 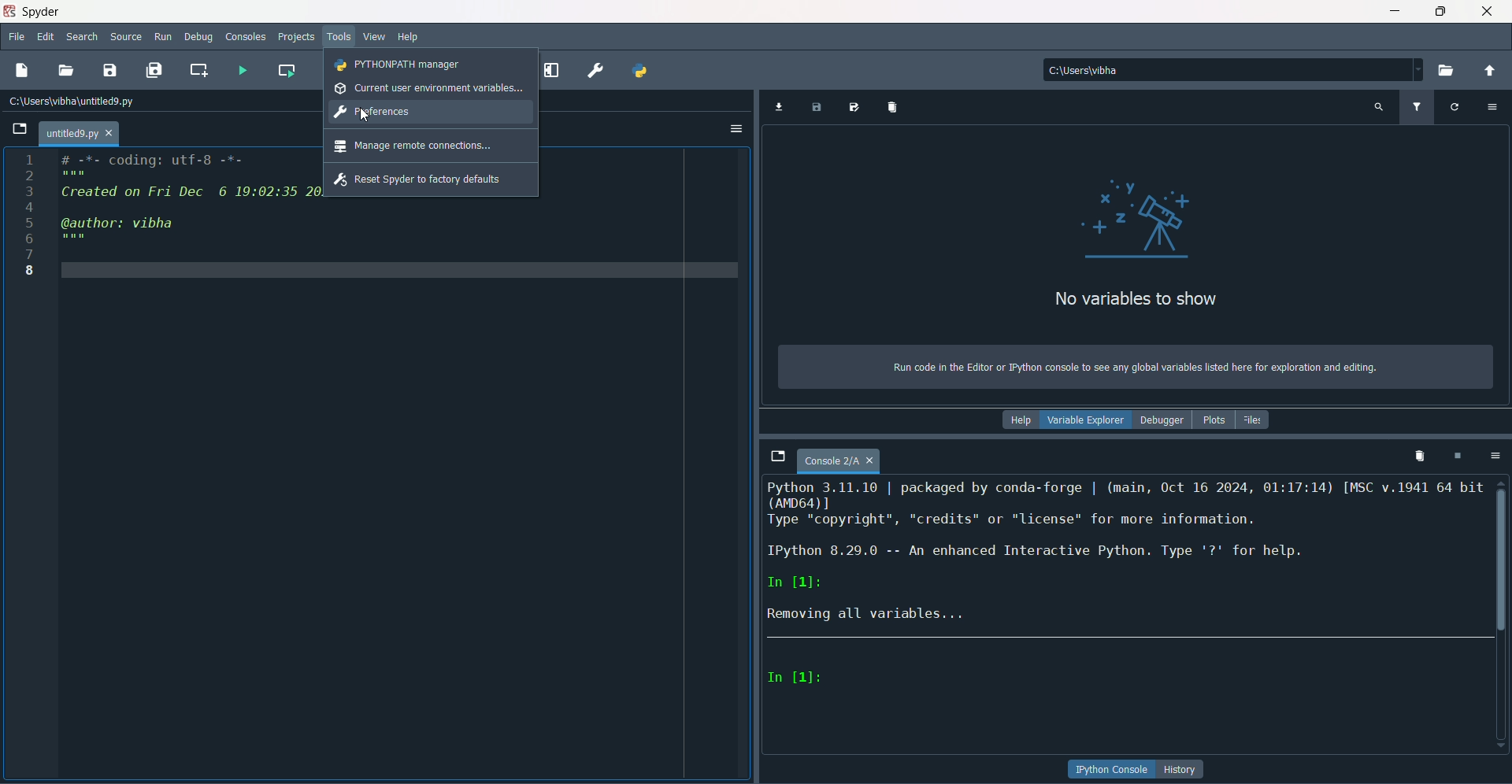 What do you see at coordinates (839, 462) in the screenshot?
I see `file name` at bounding box center [839, 462].